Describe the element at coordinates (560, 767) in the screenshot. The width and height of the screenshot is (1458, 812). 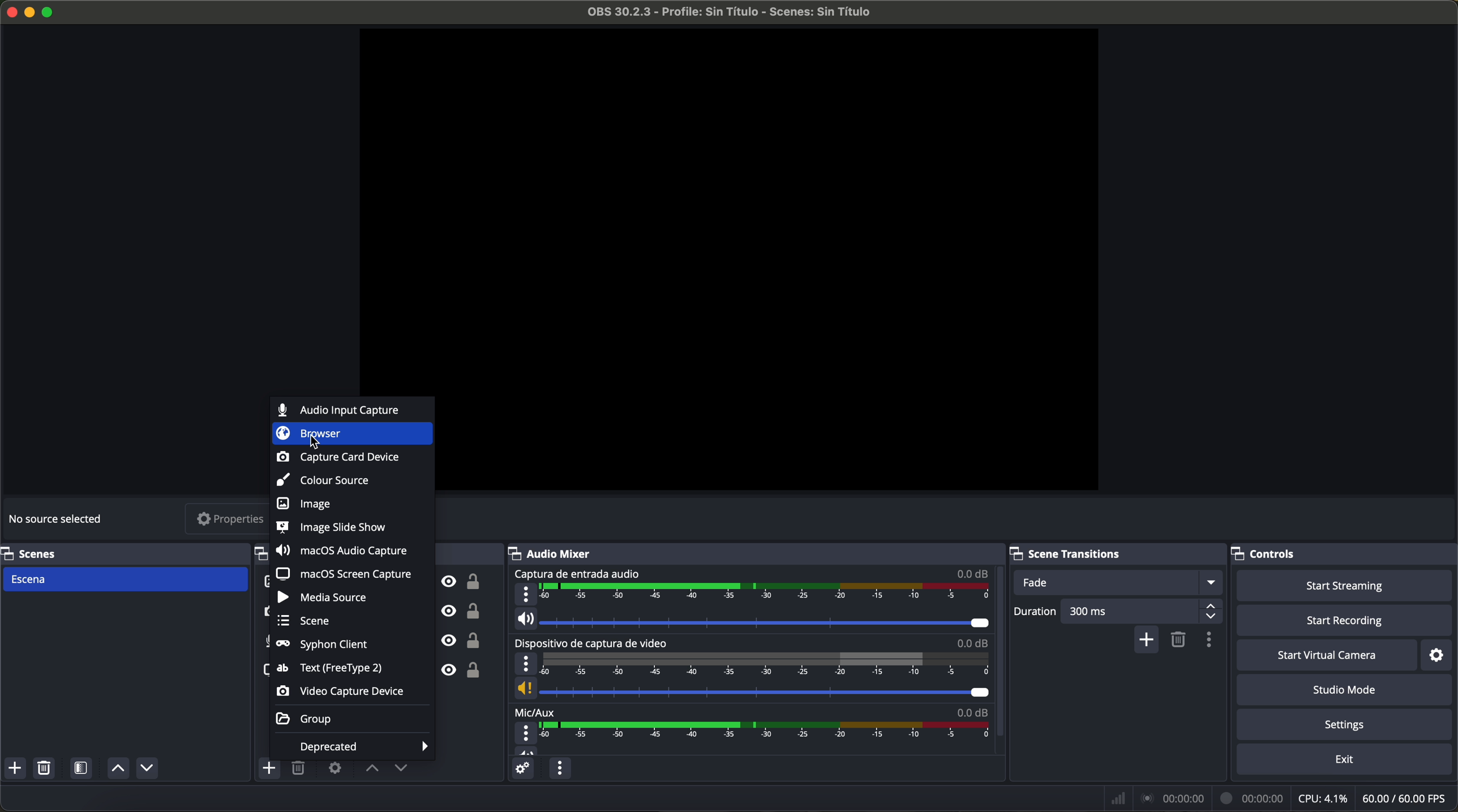
I see `audio mixer menu` at that location.